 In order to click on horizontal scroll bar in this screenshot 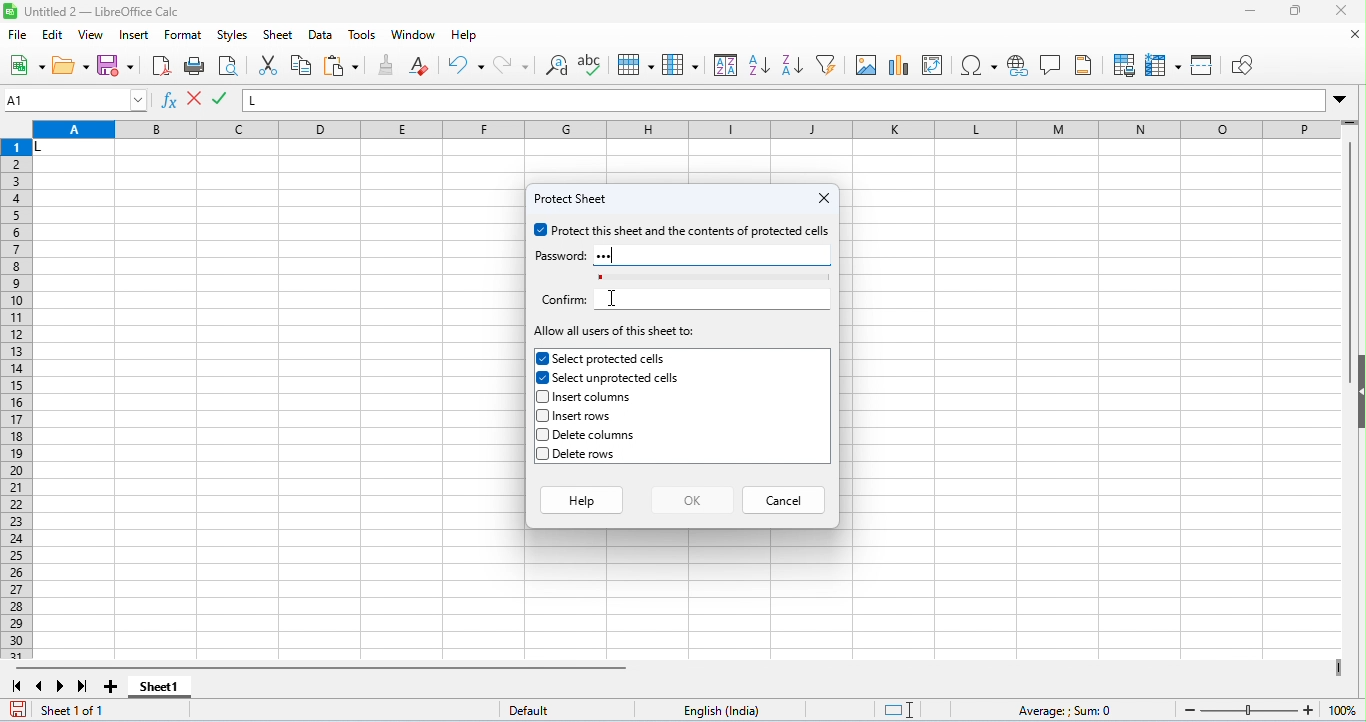, I will do `click(326, 668)`.